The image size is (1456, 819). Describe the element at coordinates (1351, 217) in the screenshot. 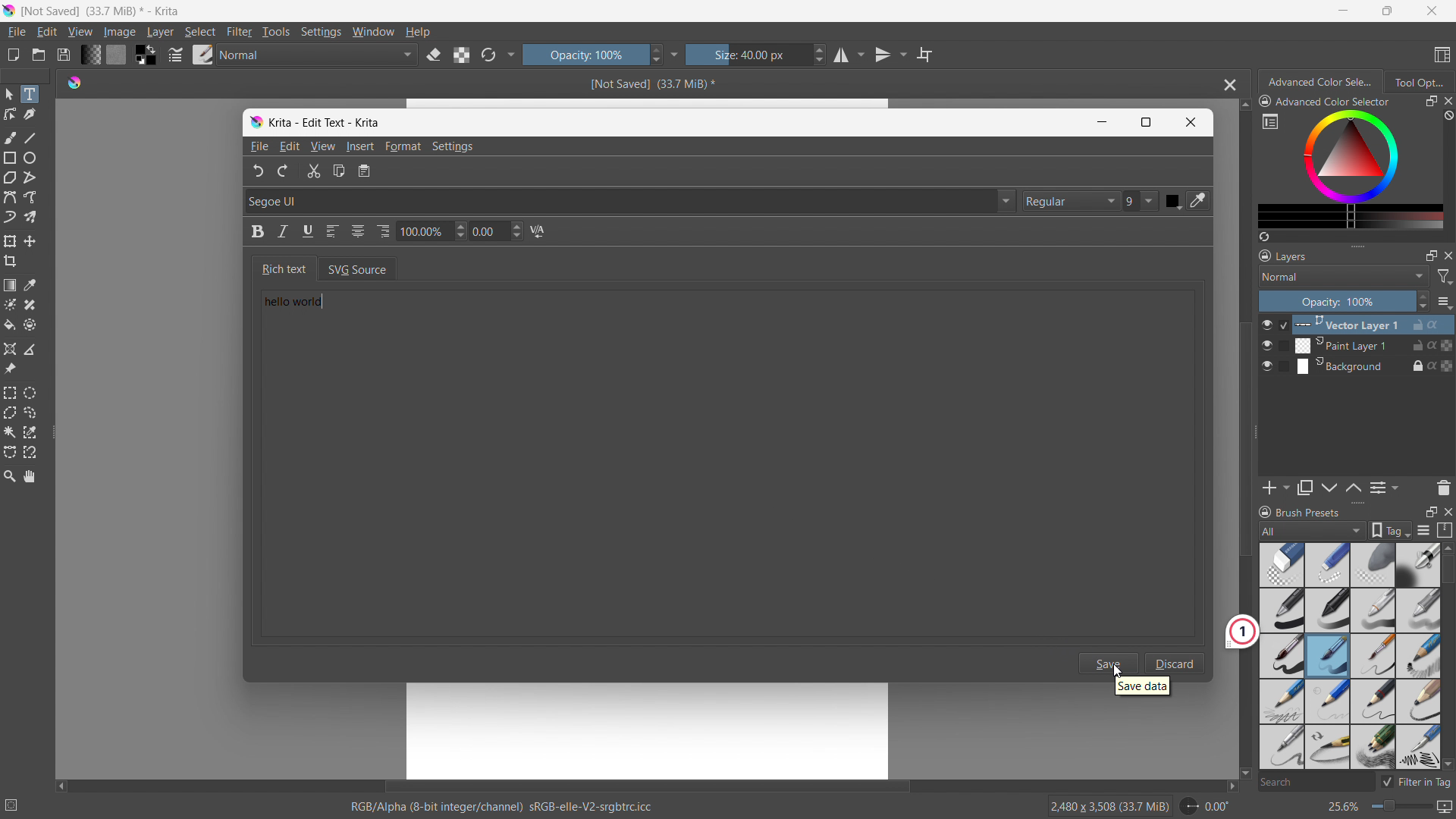

I see `more colors` at that location.